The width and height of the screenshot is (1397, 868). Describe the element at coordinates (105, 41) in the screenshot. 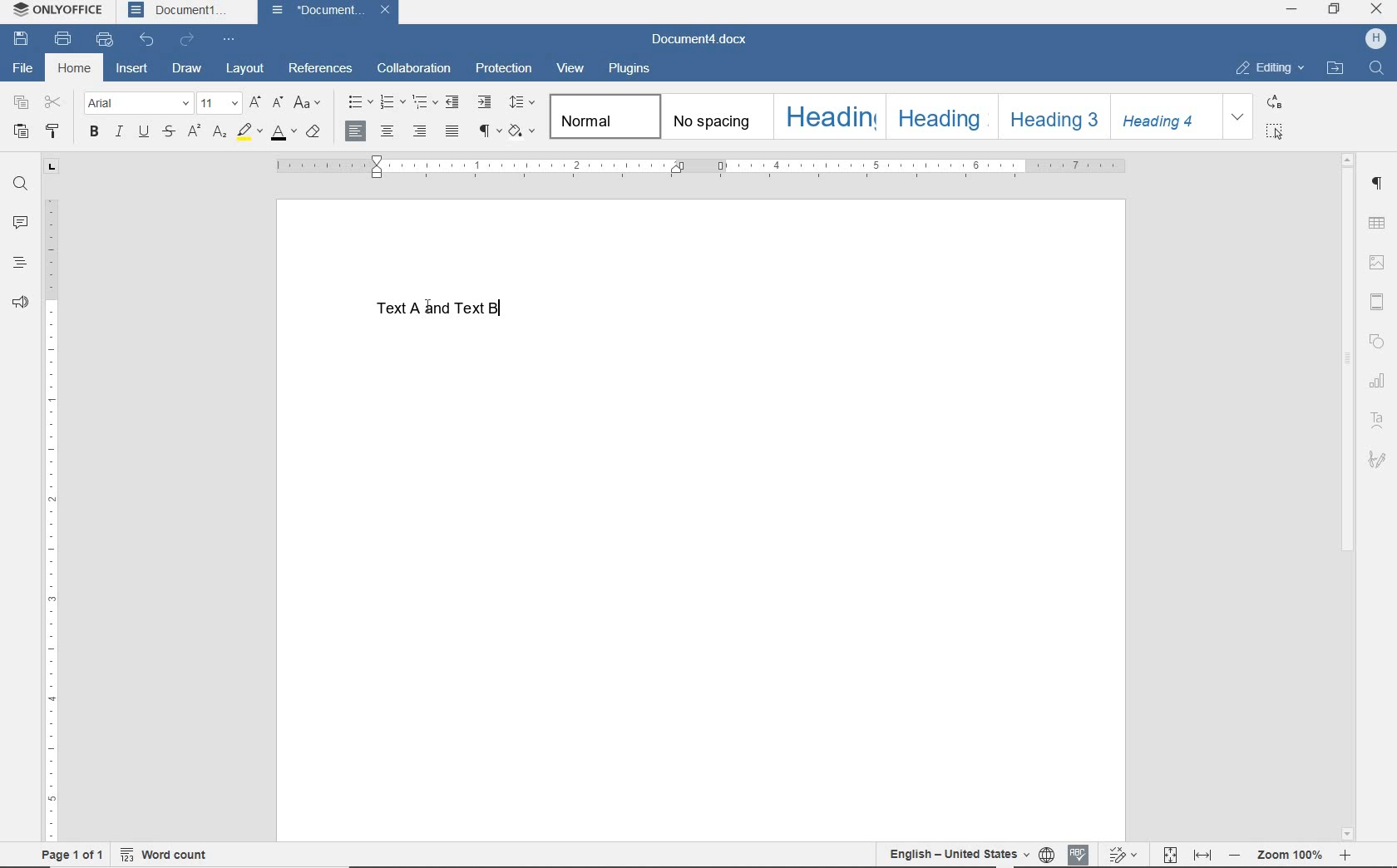

I see `QUICK PRINT` at that location.